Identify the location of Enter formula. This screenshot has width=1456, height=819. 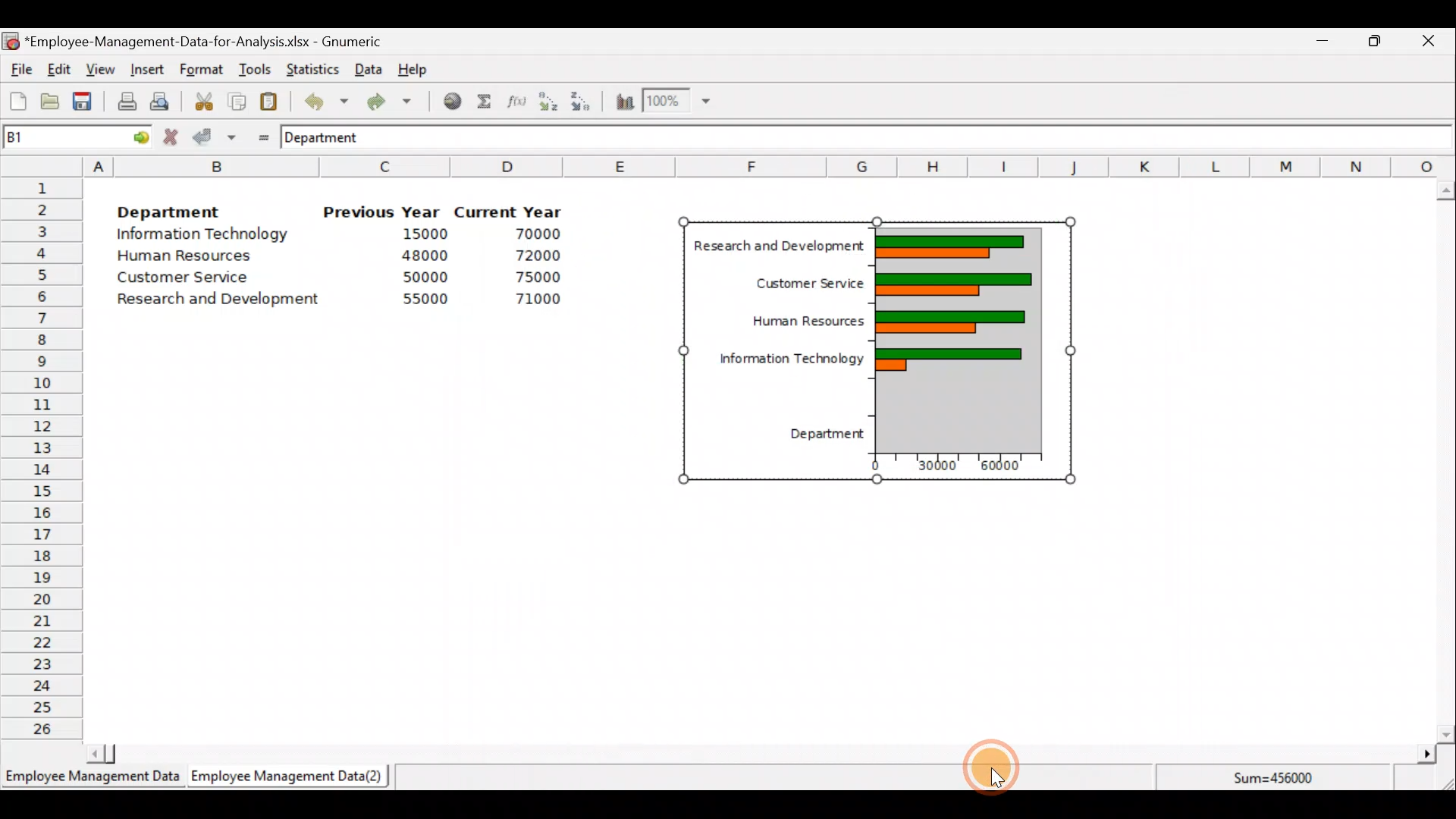
(259, 134).